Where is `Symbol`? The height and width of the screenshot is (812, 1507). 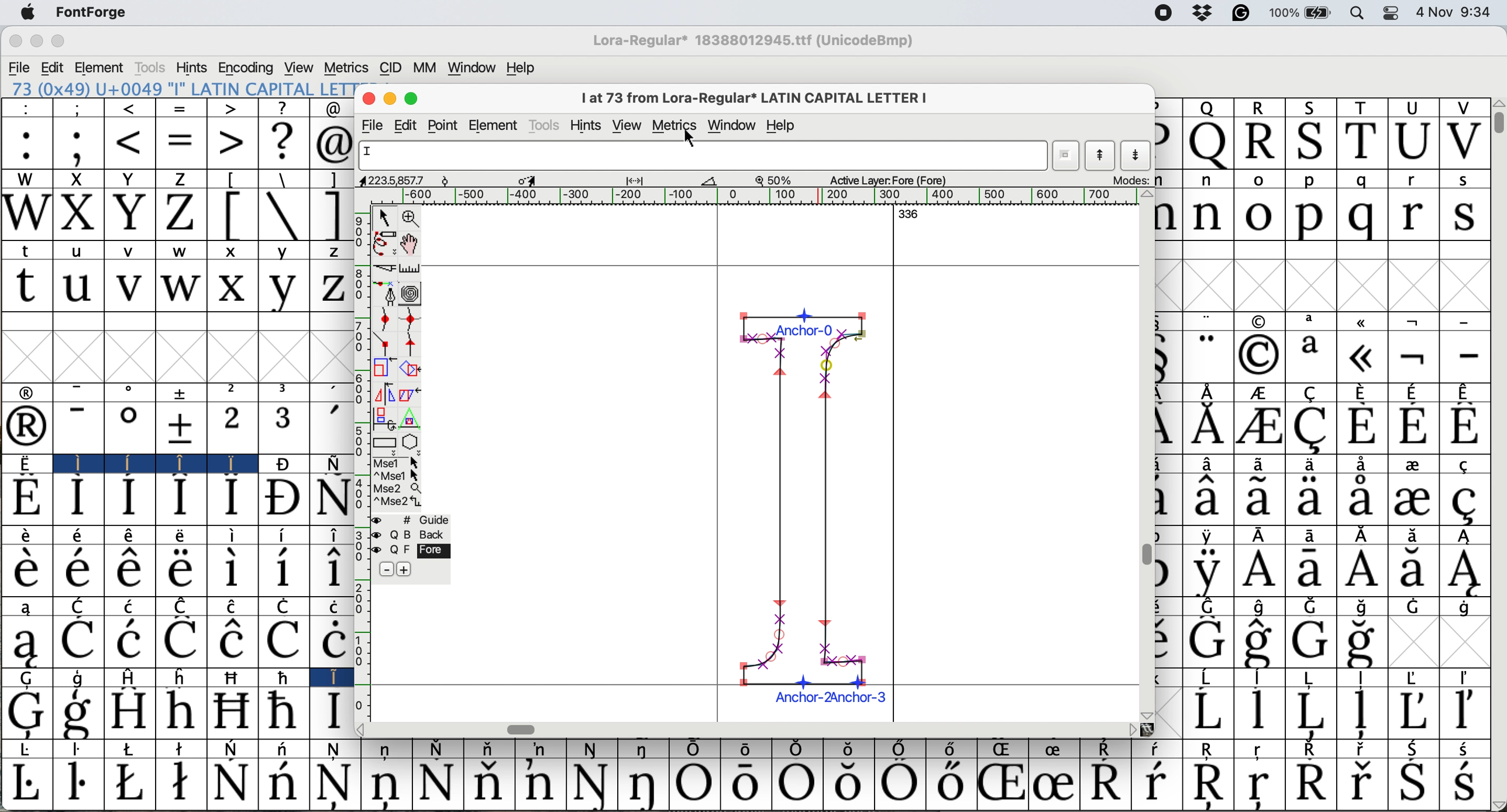
Symbol is located at coordinates (1206, 711).